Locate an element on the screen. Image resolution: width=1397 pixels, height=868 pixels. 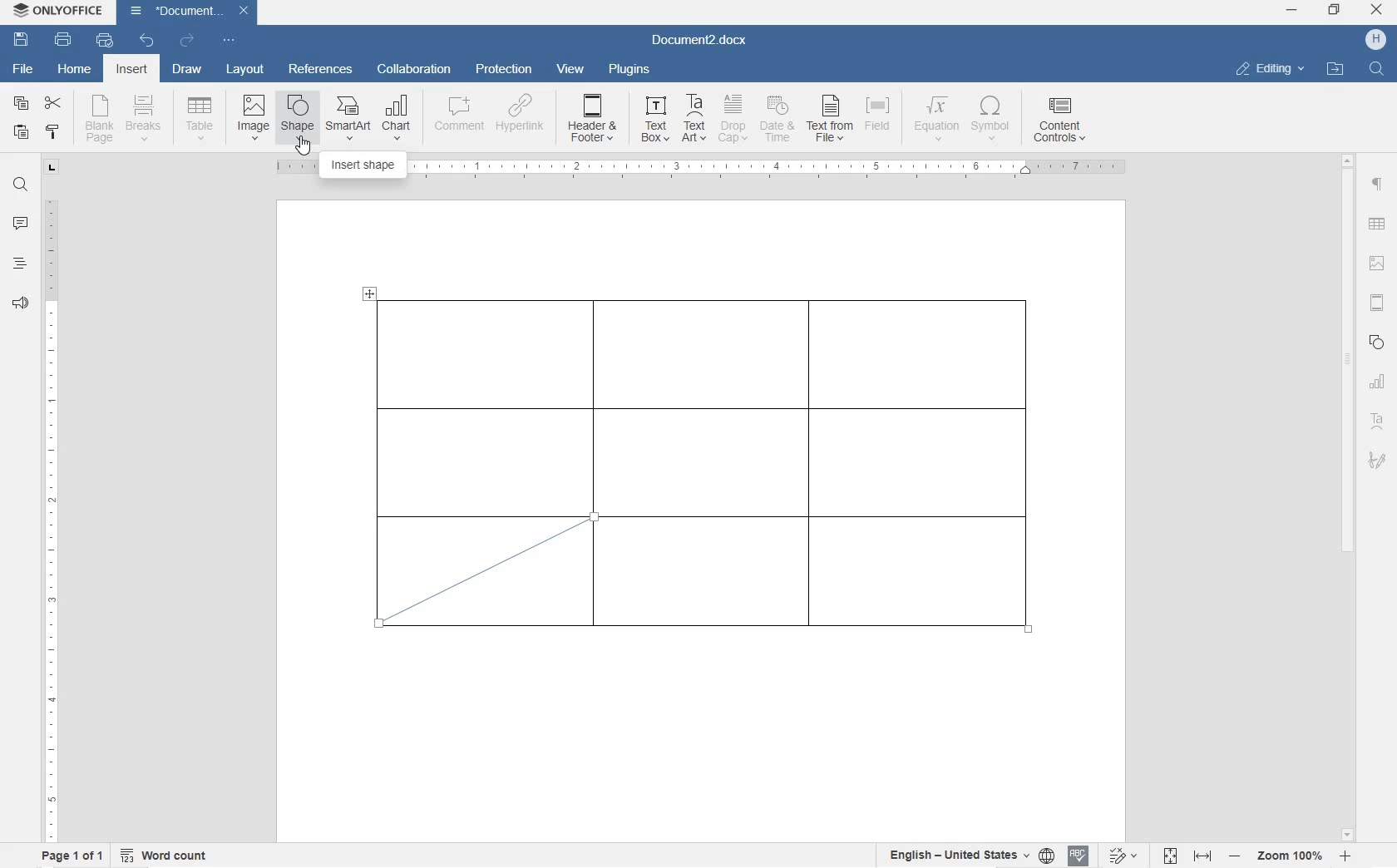
TEXT FROM FILE is located at coordinates (832, 121).